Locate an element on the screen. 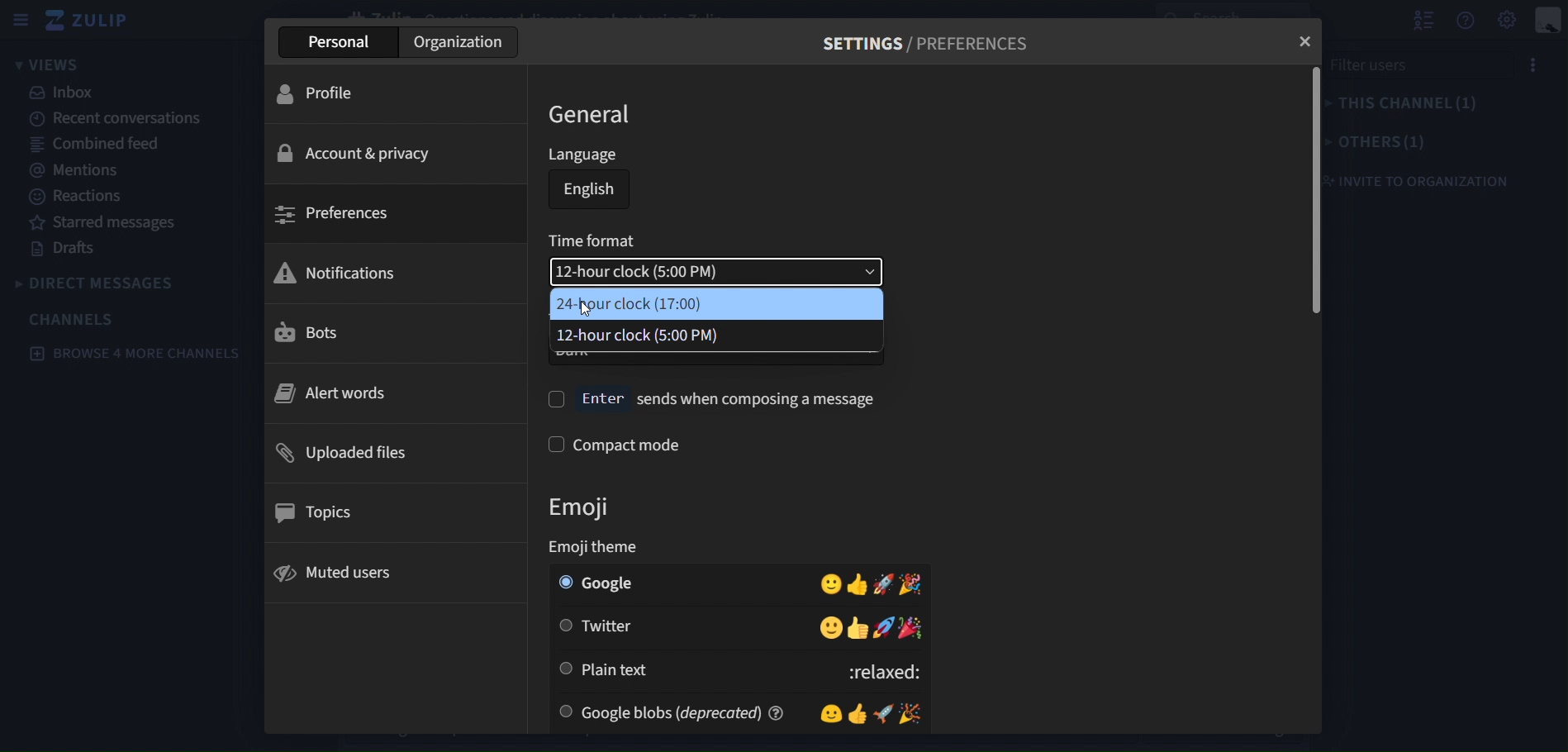  close is located at coordinates (1306, 40).